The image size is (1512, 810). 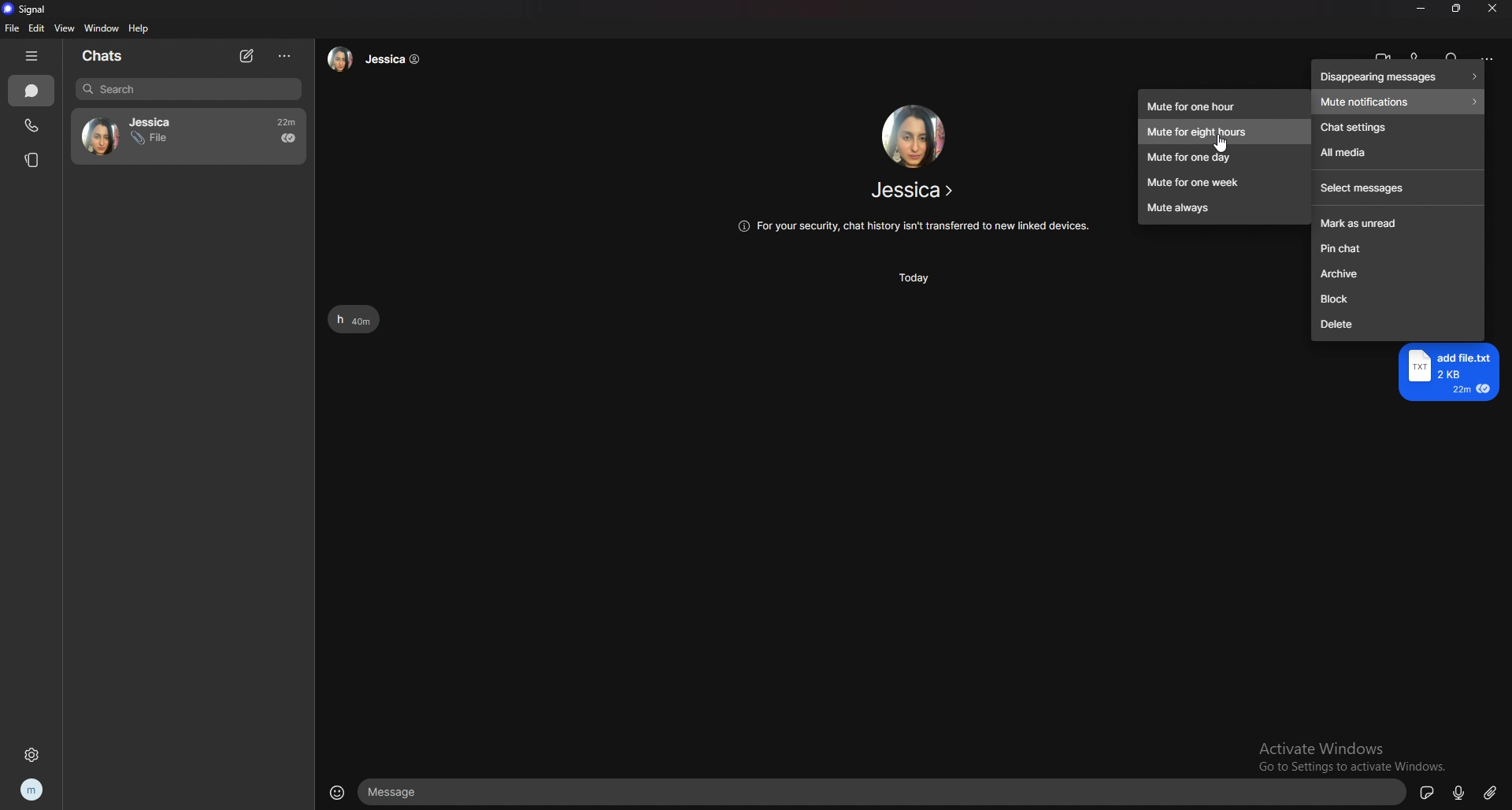 What do you see at coordinates (109, 57) in the screenshot?
I see `chats` at bounding box center [109, 57].